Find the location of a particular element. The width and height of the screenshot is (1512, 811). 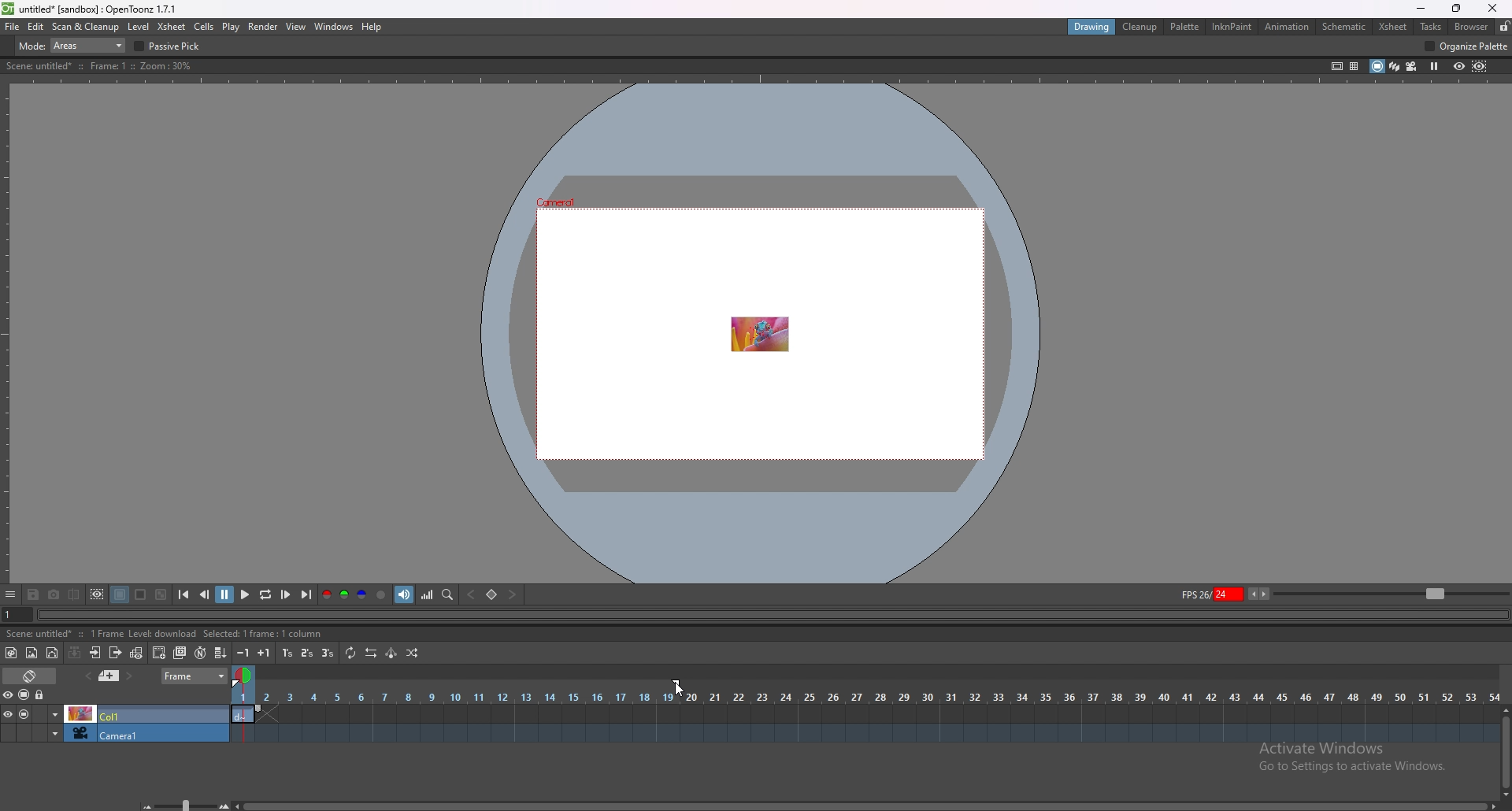

field guide is located at coordinates (1354, 67).